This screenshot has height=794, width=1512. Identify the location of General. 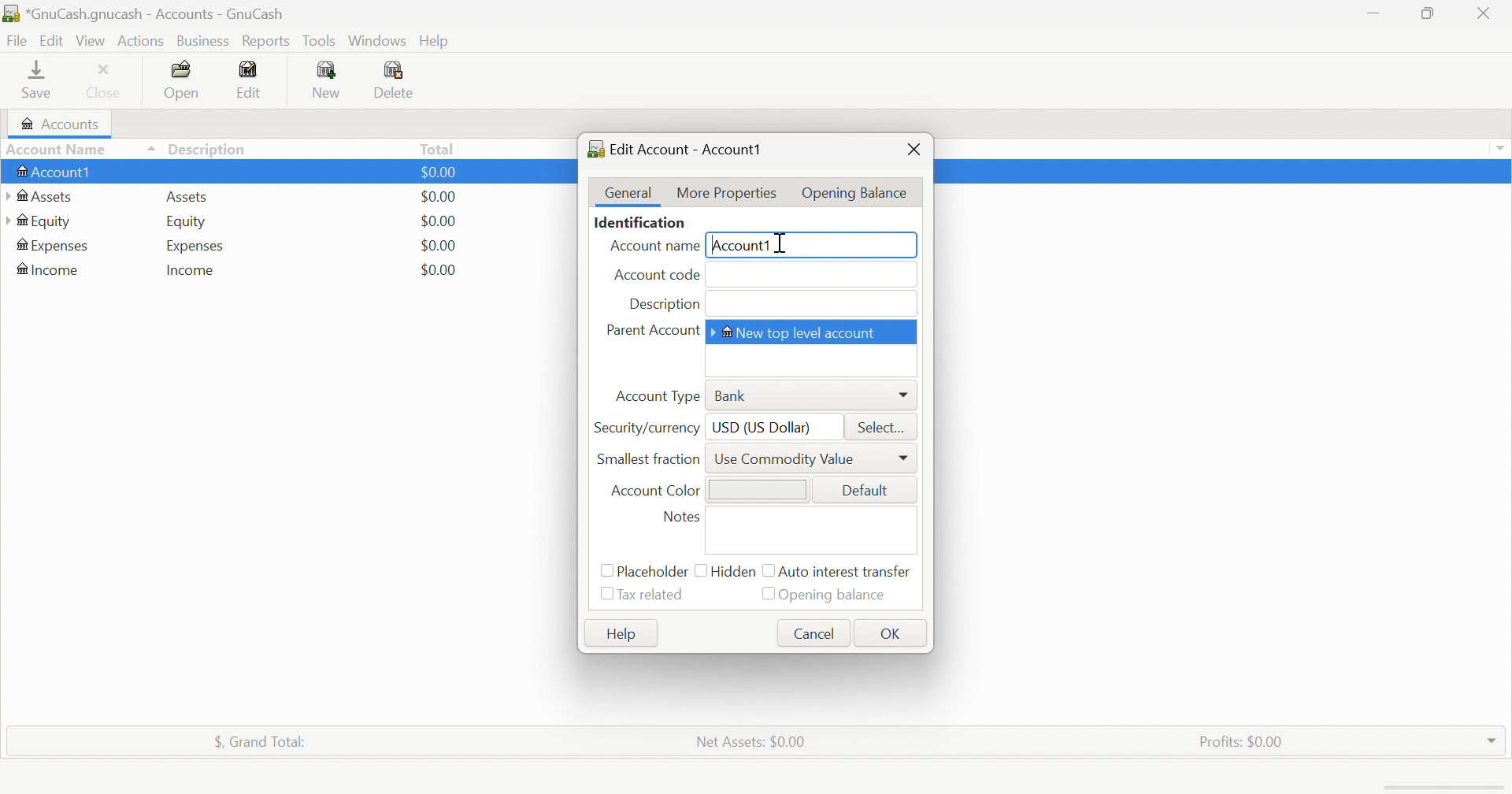
(629, 192).